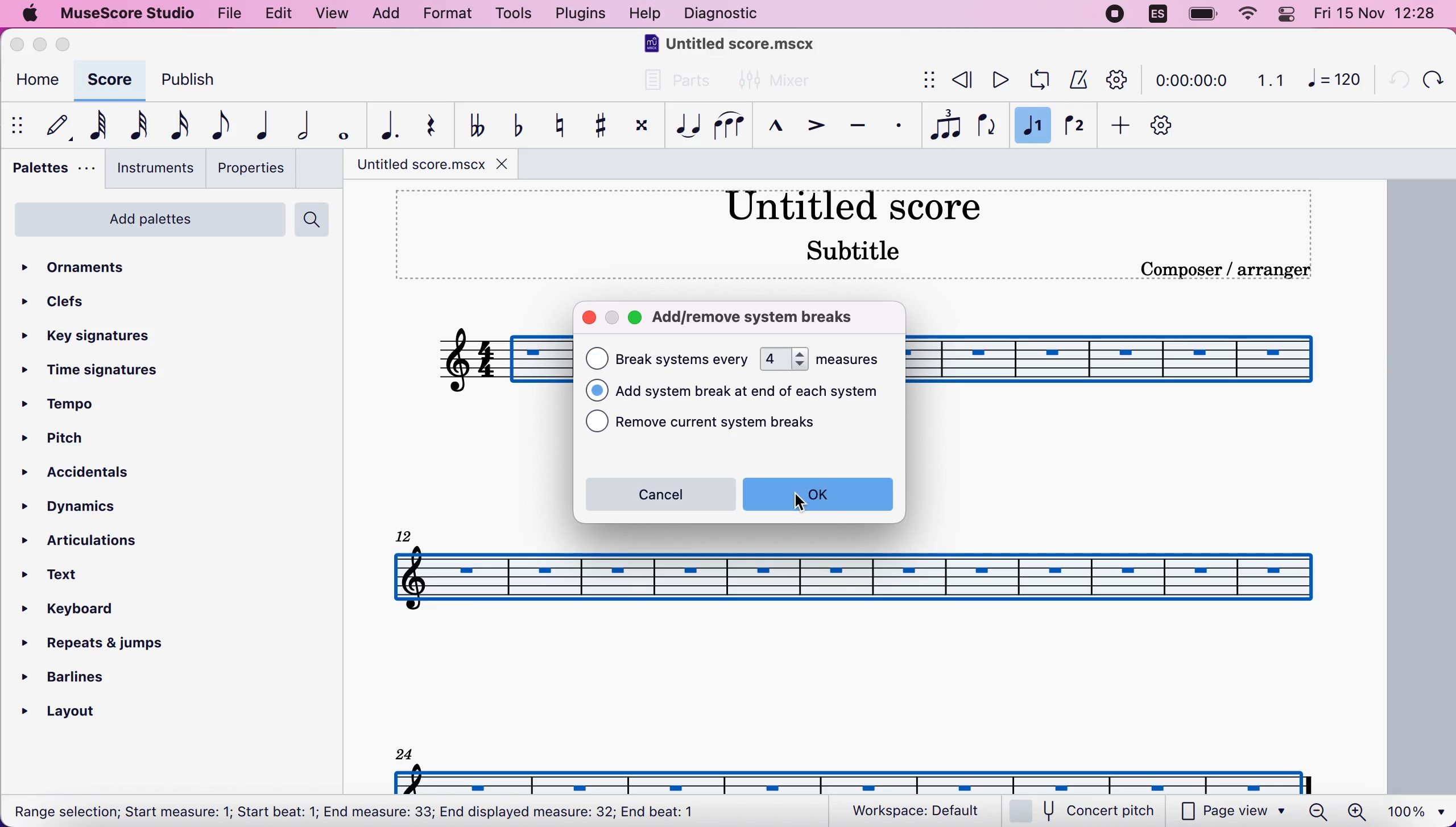 This screenshot has width=1456, height=827. Describe the element at coordinates (227, 12) in the screenshot. I see `file` at that location.